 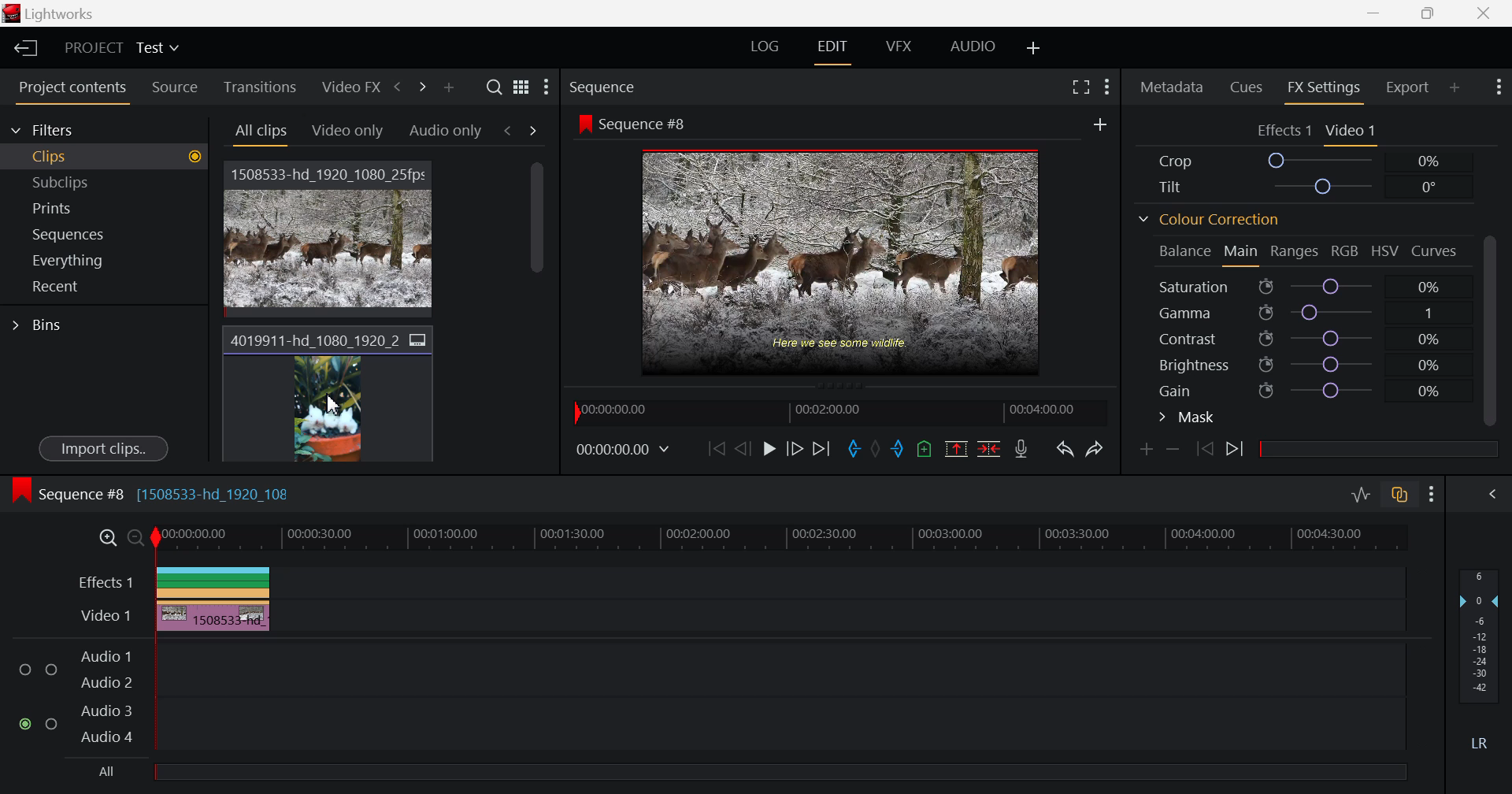 I want to click on AUDIO Layout, so click(x=972, y=48).